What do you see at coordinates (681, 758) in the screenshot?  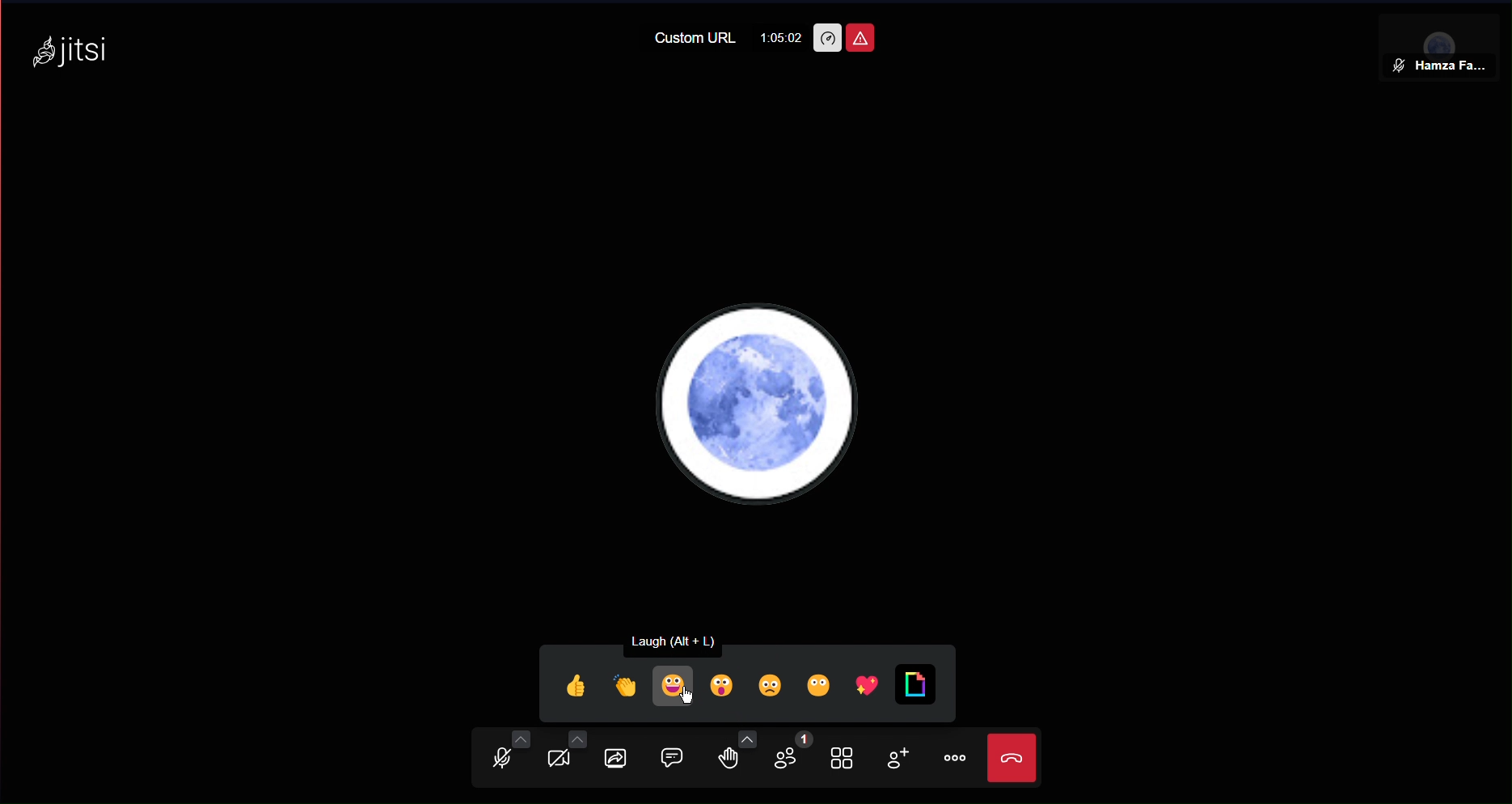 I see `Chat` at bounding box center [681, 758].